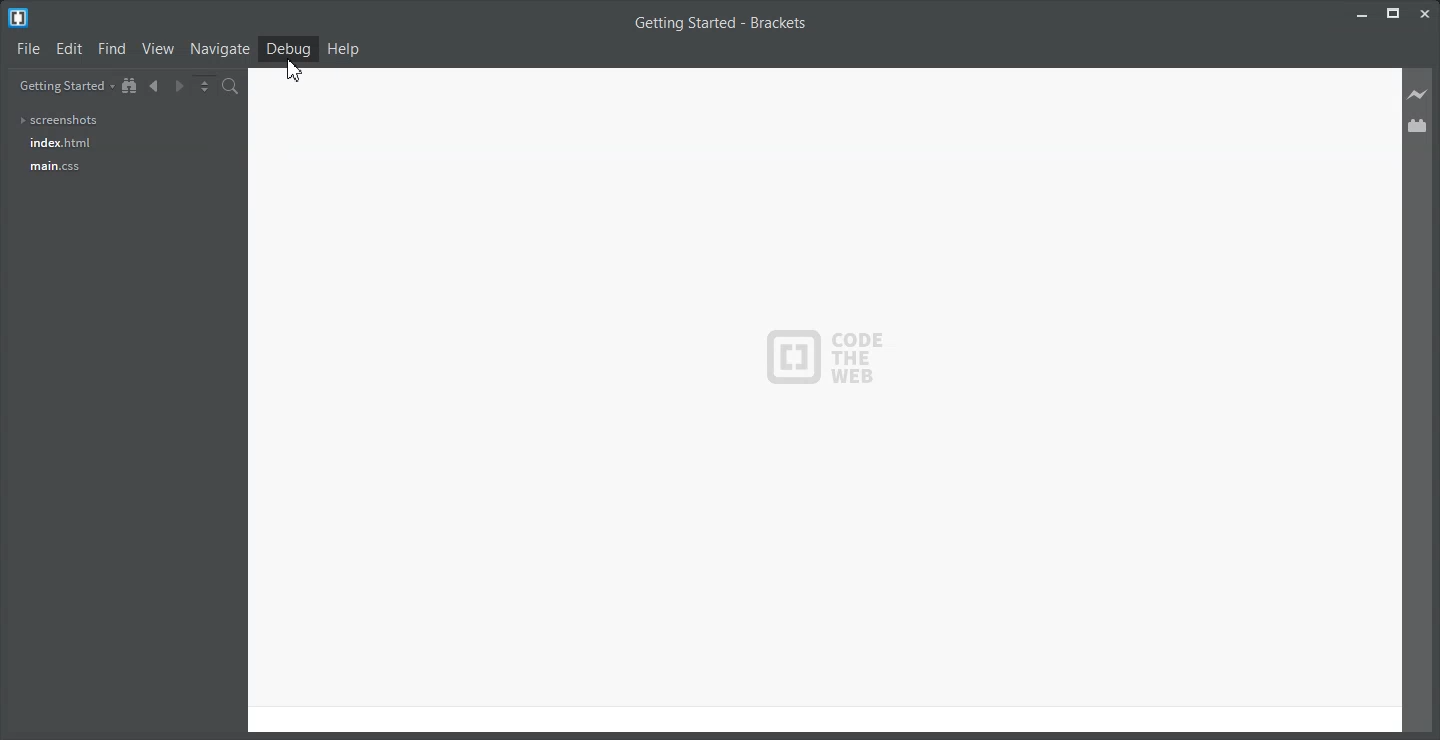 The image size is (1440, 740). I want to click on Getting Started - Brackets, so click(721, 22).